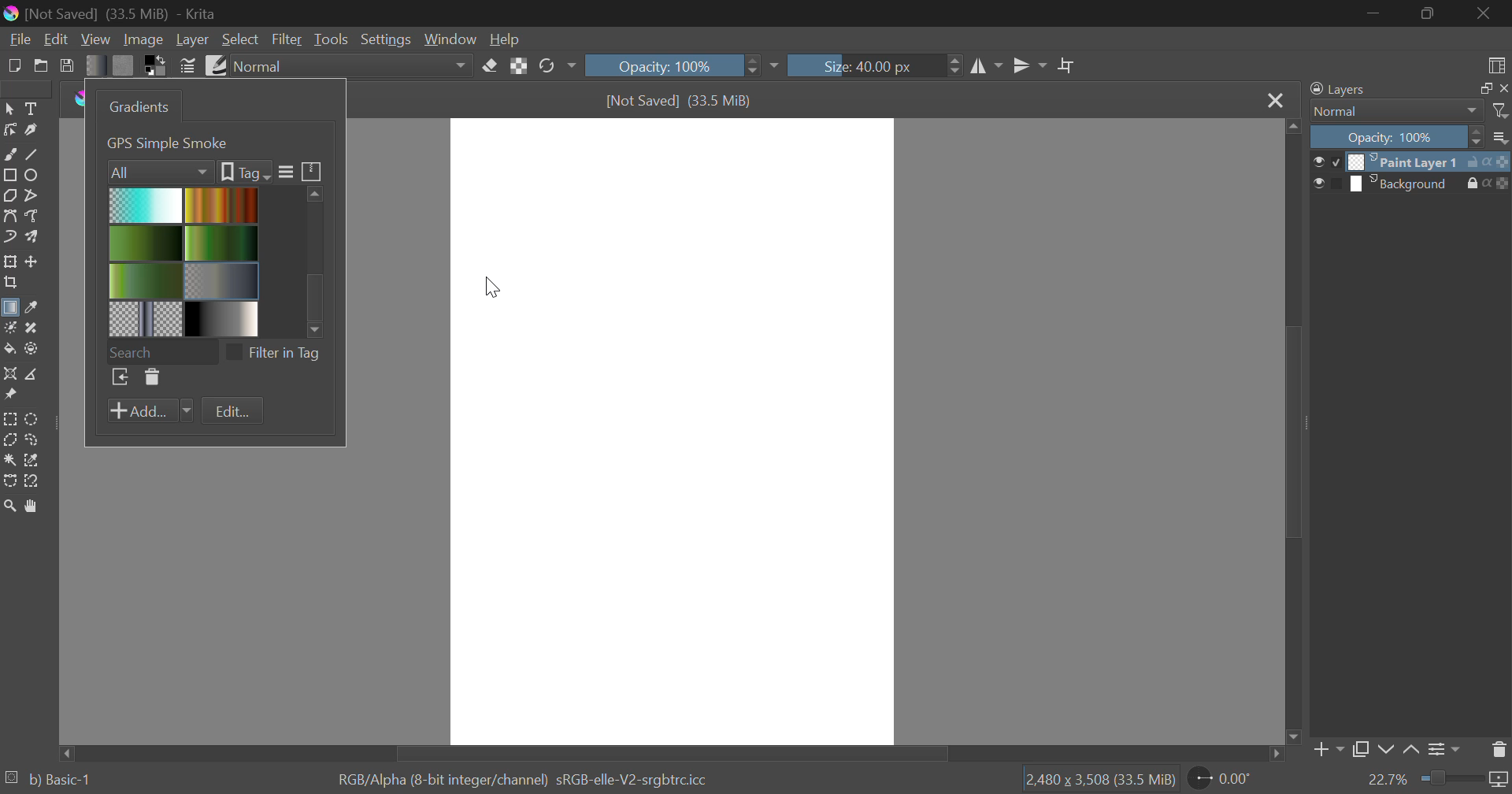 The width and height of the screenshot is (1512, 794). Describe the element at coordinates (32, 329) in the screenshot. I see `Smart Patch Tool` at that location.